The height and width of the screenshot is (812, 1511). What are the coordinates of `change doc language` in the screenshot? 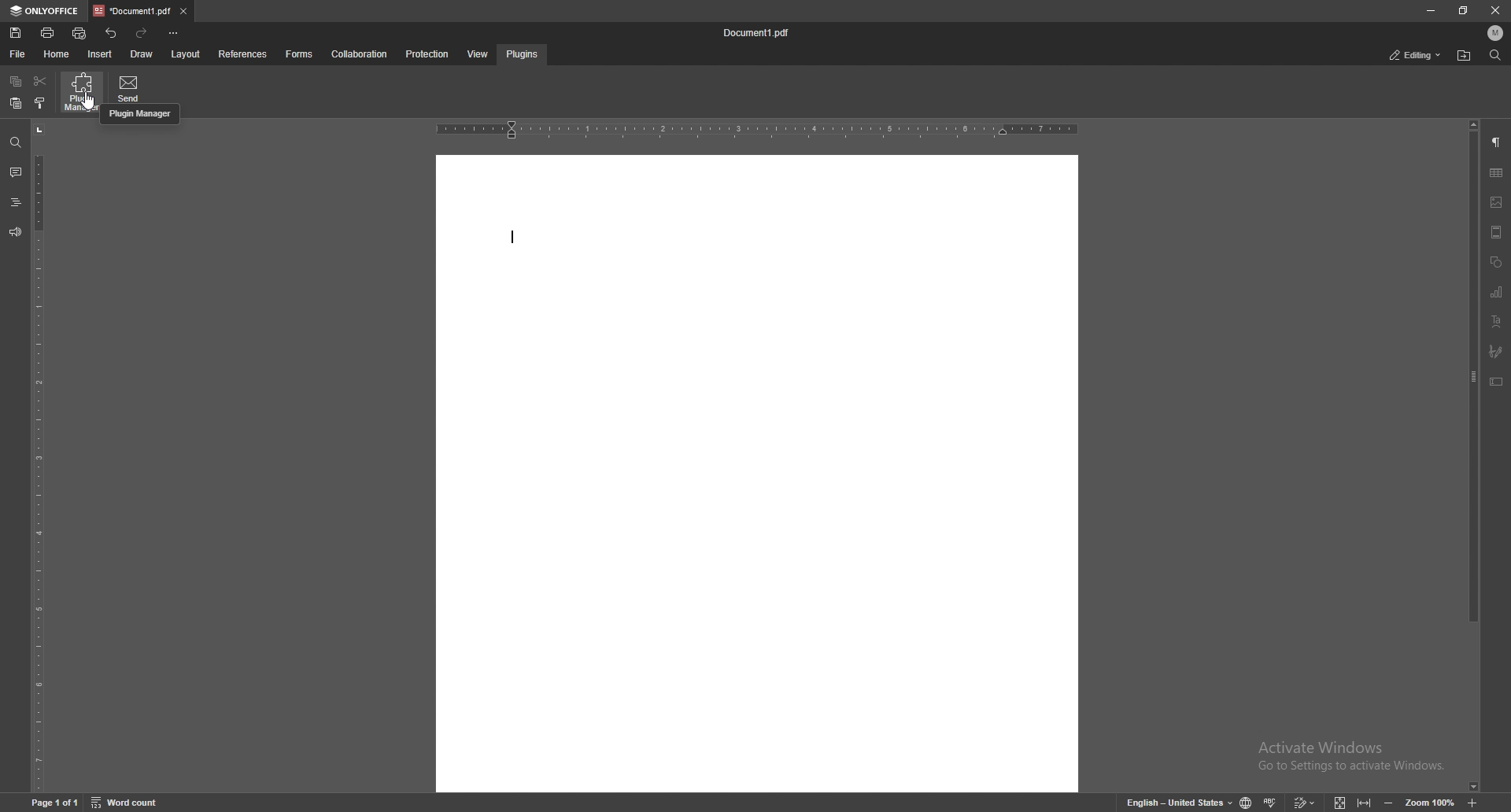 It's located at (1246, 802).